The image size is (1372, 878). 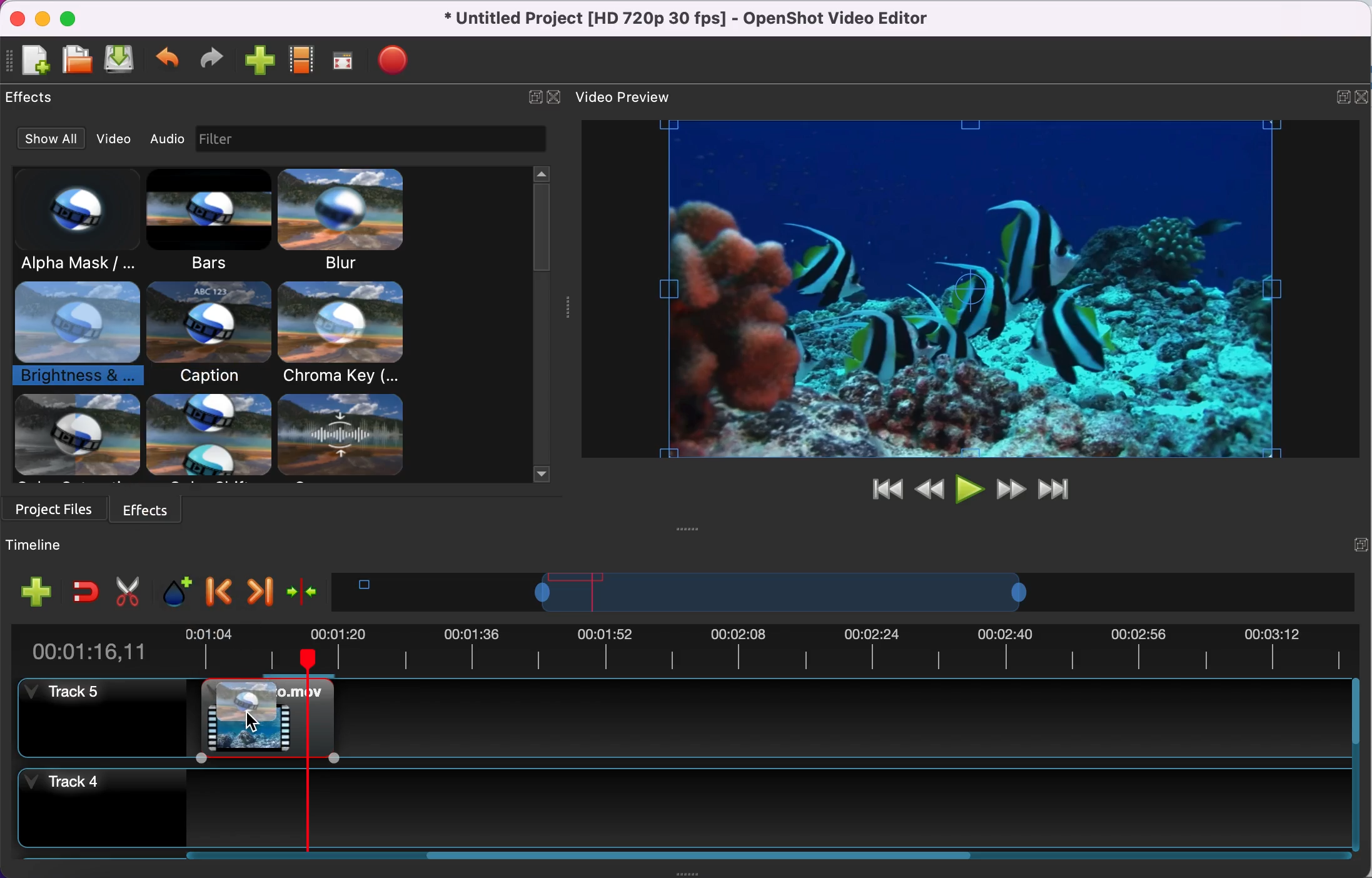 What do you see at coordinates (219, 139) in the screenshot?
I see `image` at bounding box center [219, 139].